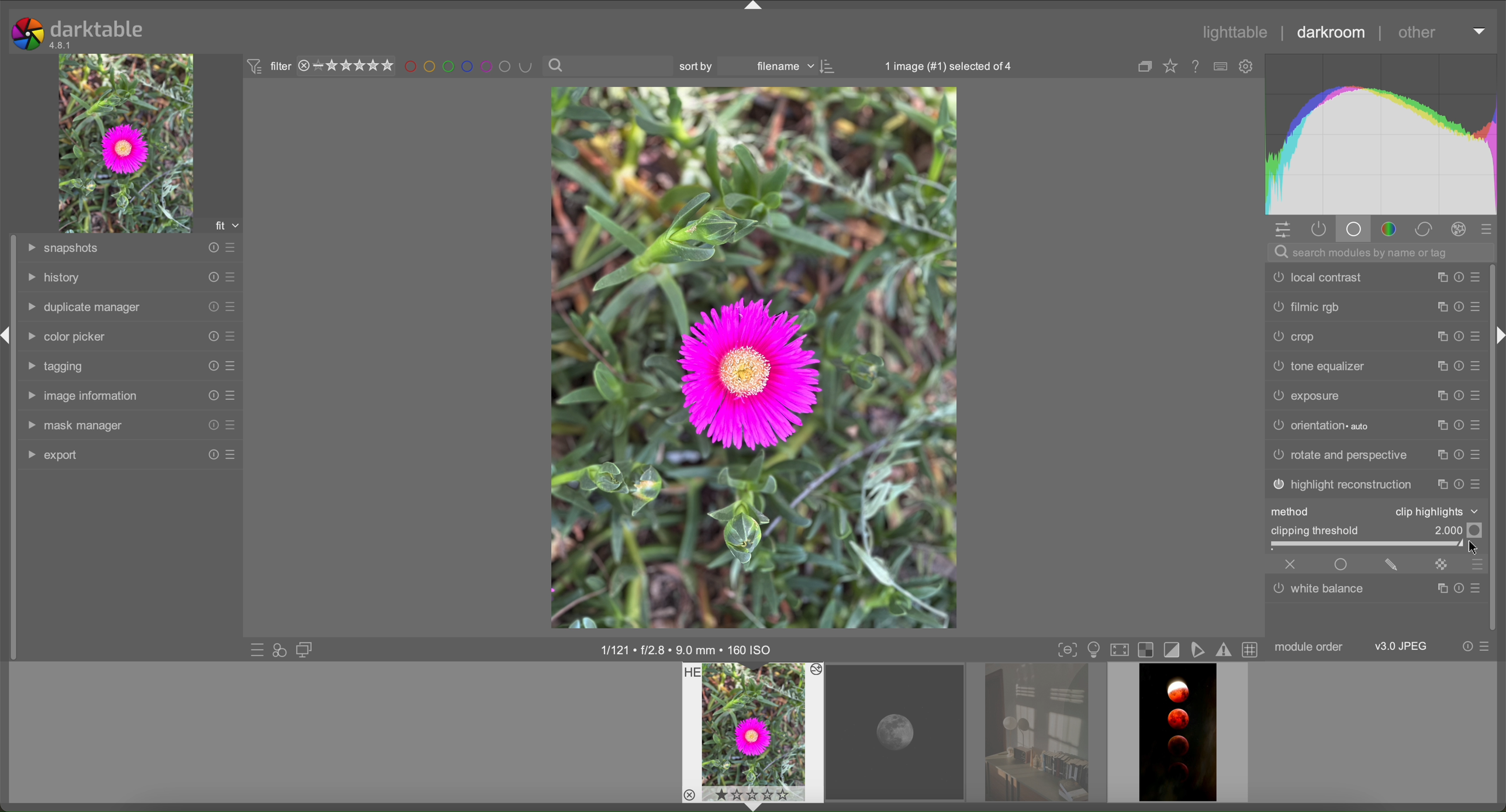 This screenshot has width=1506, height=812. I want to click on arrow, so click(1479, 30).